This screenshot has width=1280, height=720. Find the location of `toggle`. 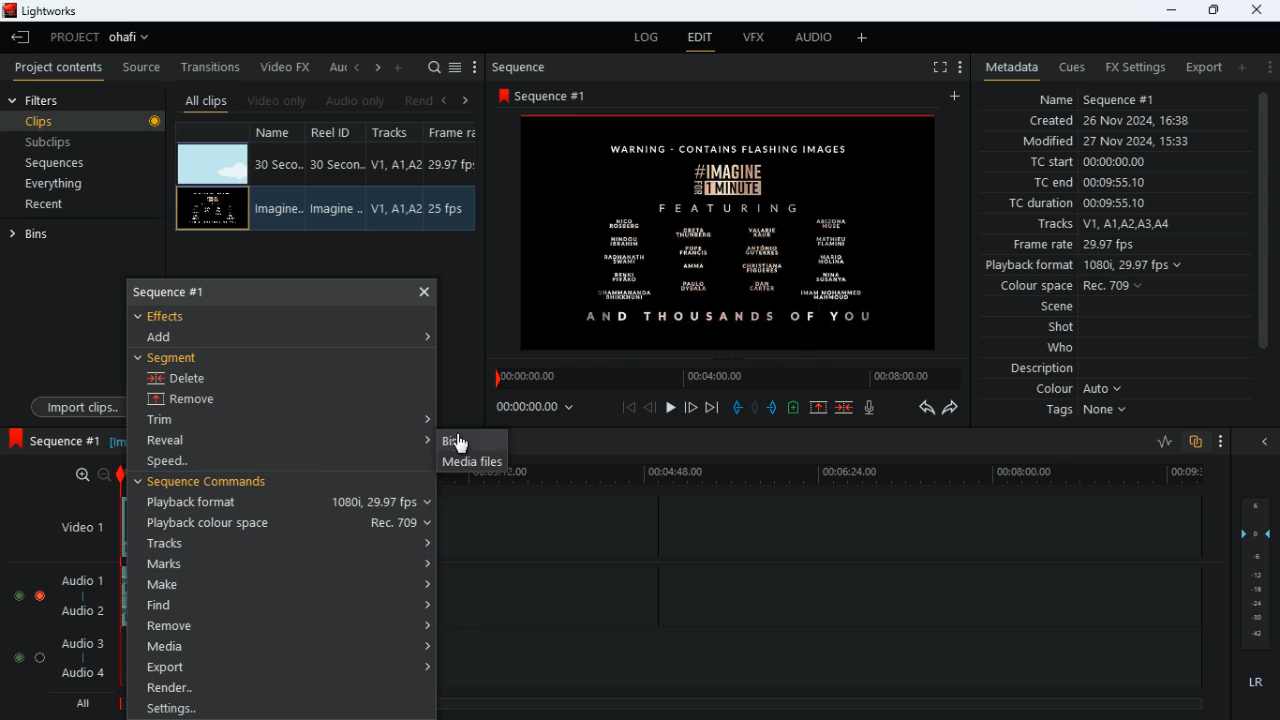

toggle is located at coordinates (18, 597).